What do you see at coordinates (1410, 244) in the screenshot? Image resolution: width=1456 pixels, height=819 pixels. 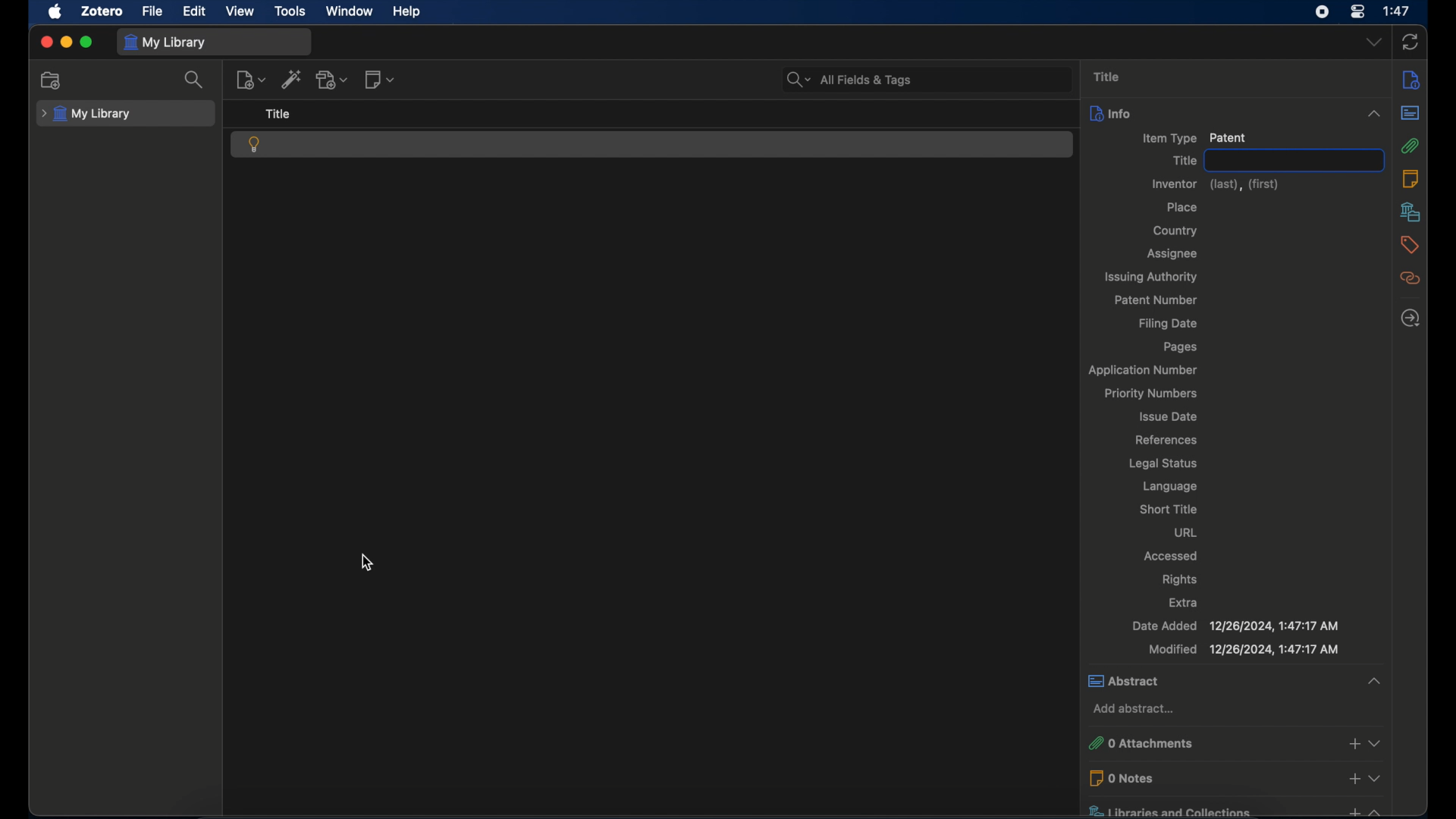 I see `tags` at bounding box center [1410, 244].